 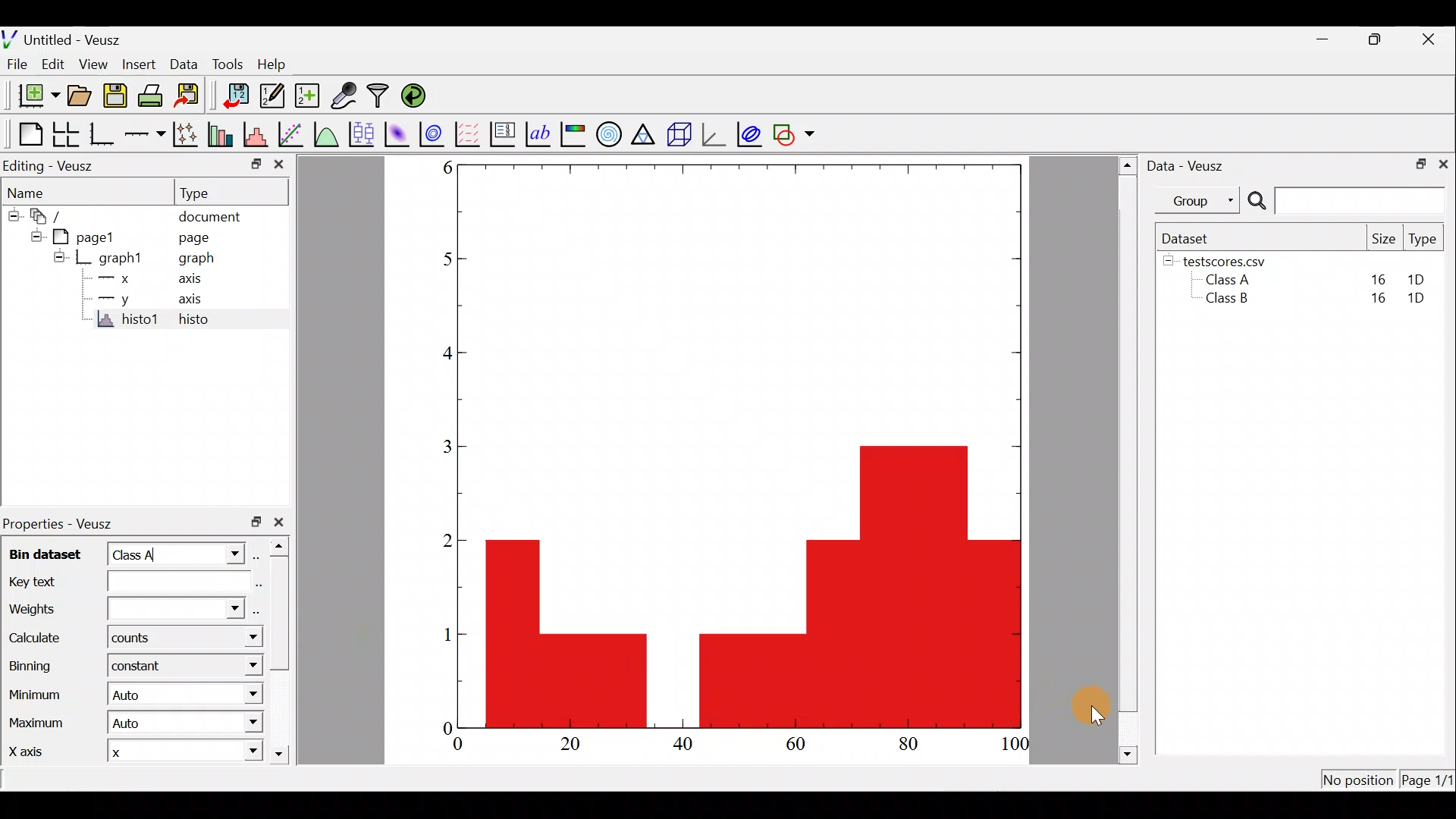 What do you see at coordinates (113, 257) in the screenshot?
I see `graph1` at bounding box center [113, 257].